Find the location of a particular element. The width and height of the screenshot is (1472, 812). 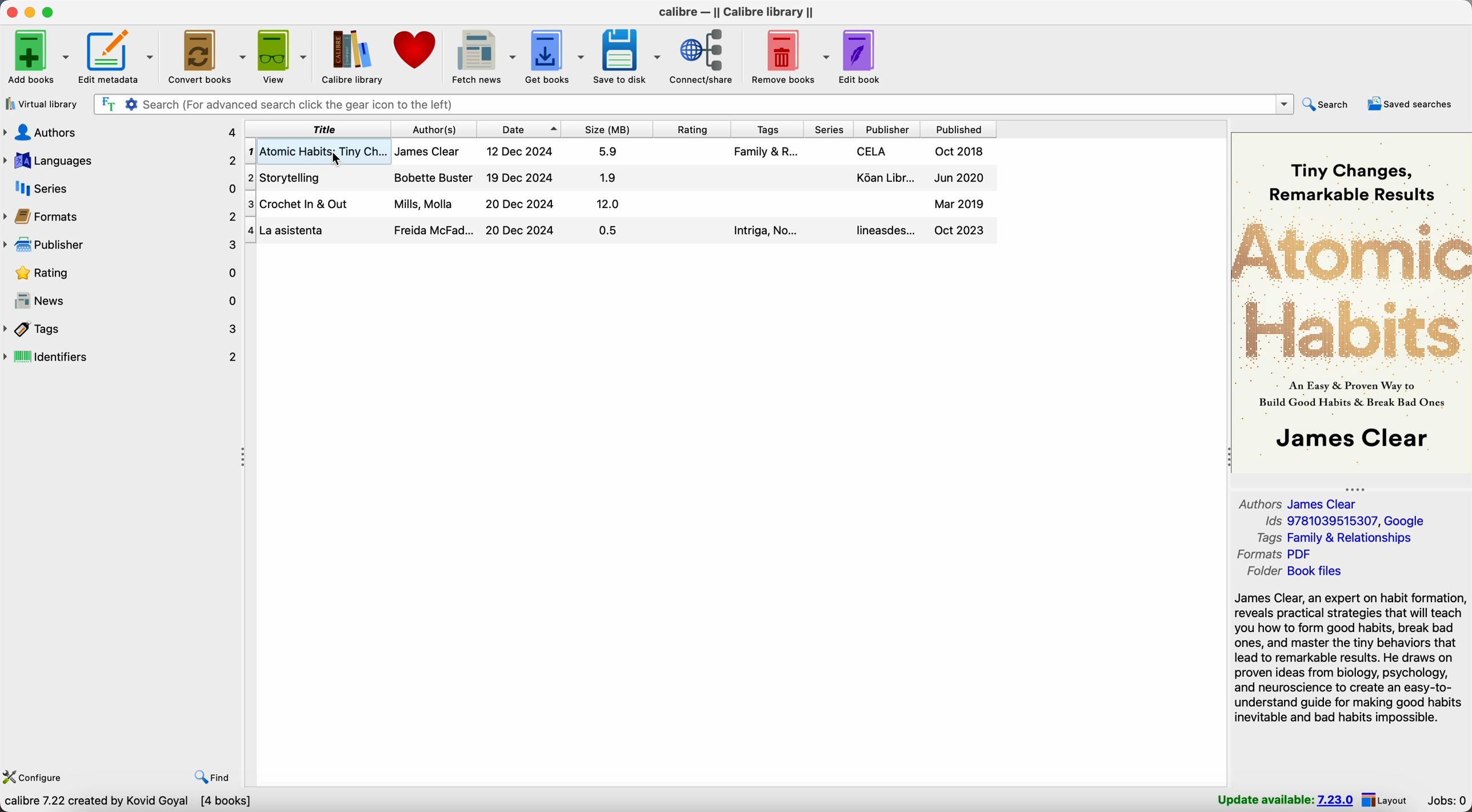

layout is located at coordinates (1392, 801).